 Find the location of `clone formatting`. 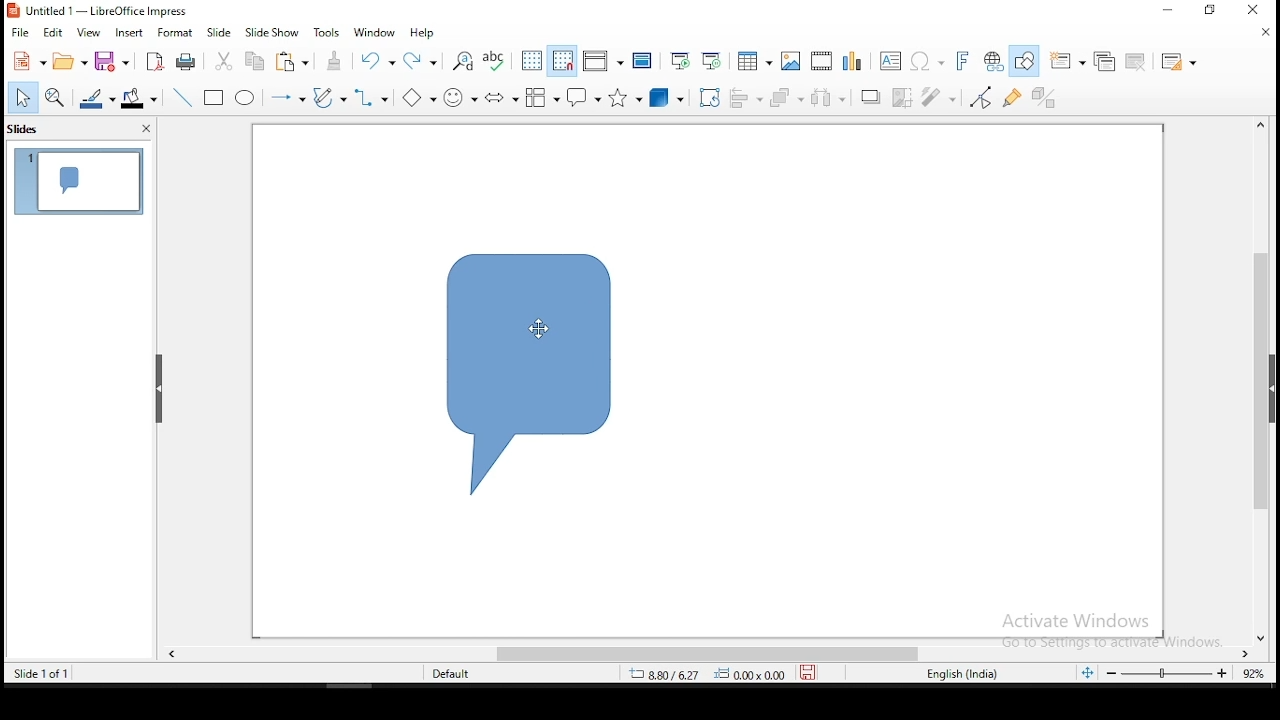

clone formatting is located at coordinates (338, 61).